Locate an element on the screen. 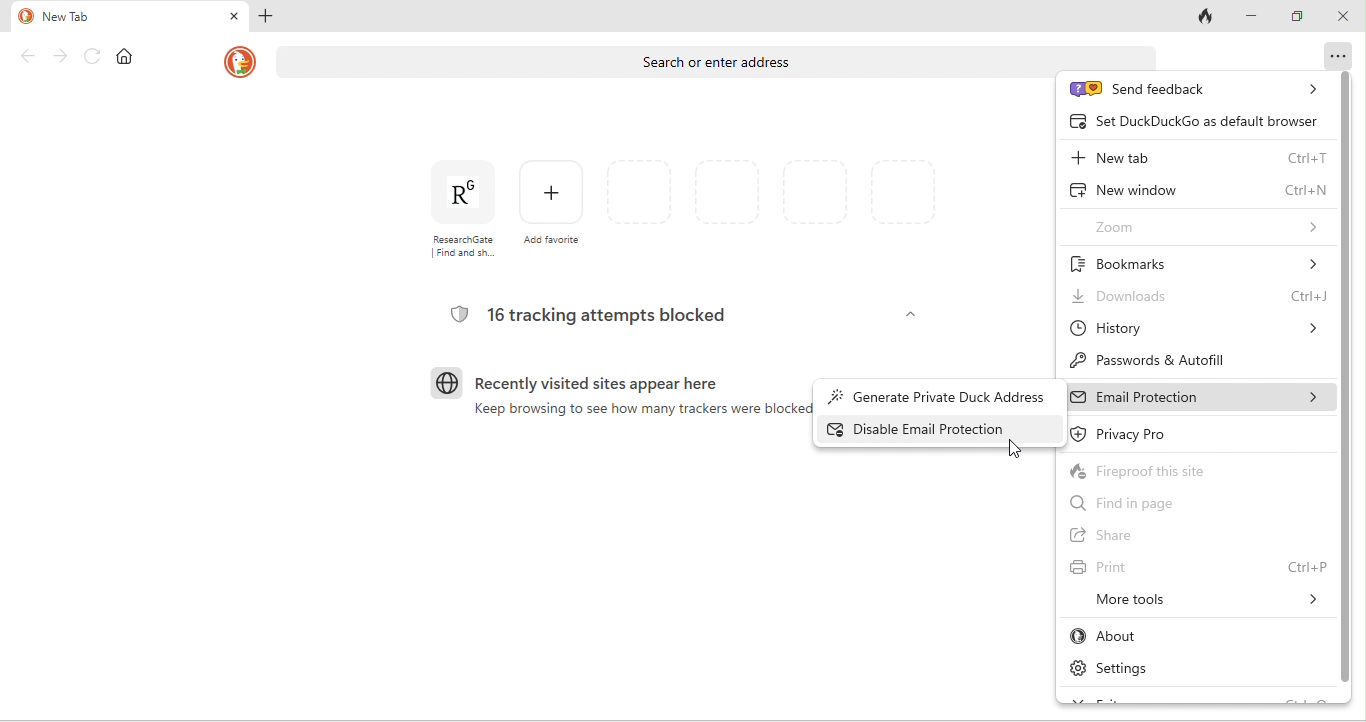  share is located at coordinates (1143, 534).